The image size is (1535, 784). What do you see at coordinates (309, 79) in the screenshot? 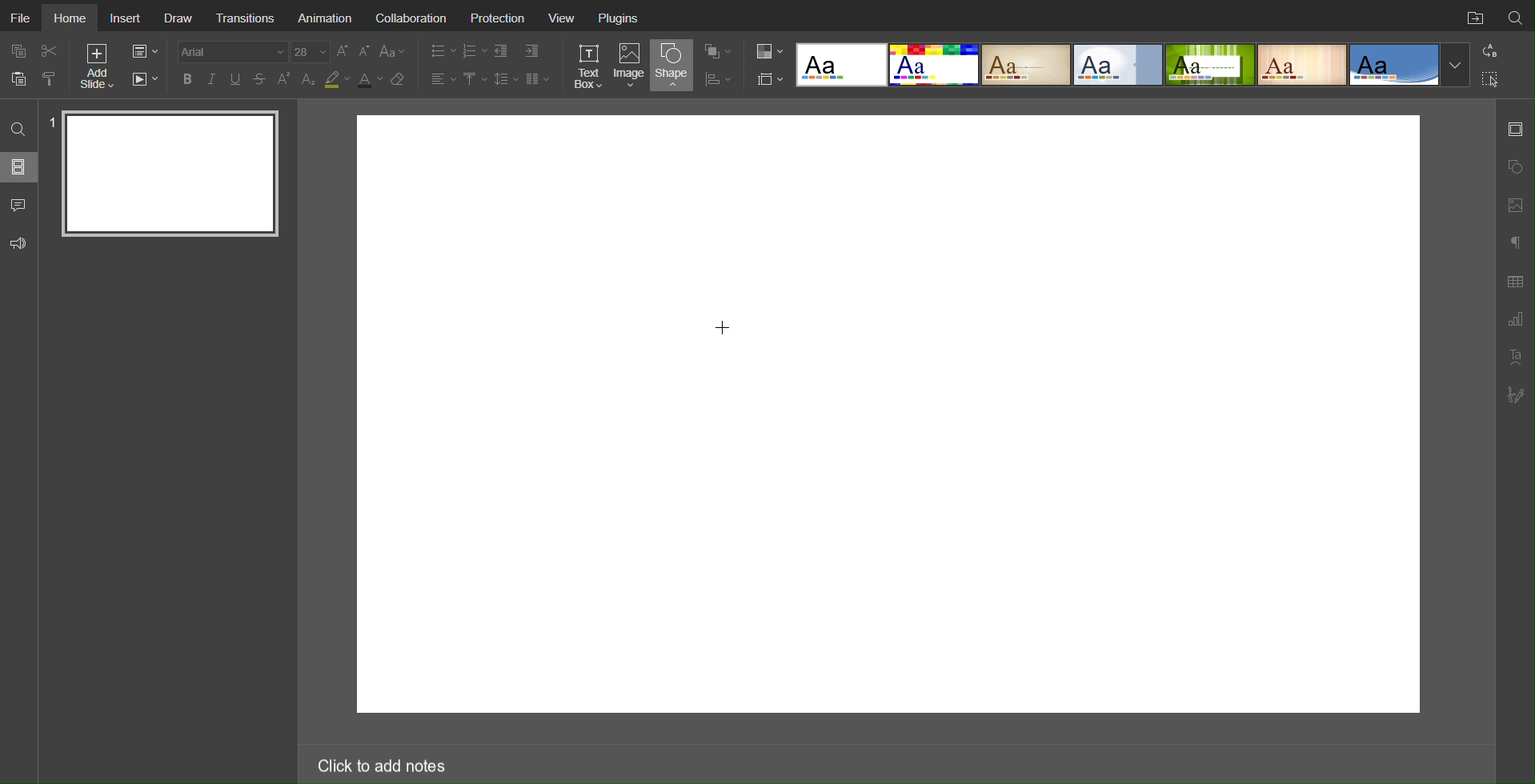
I see `Subscript` at bounding box center [309, 79].